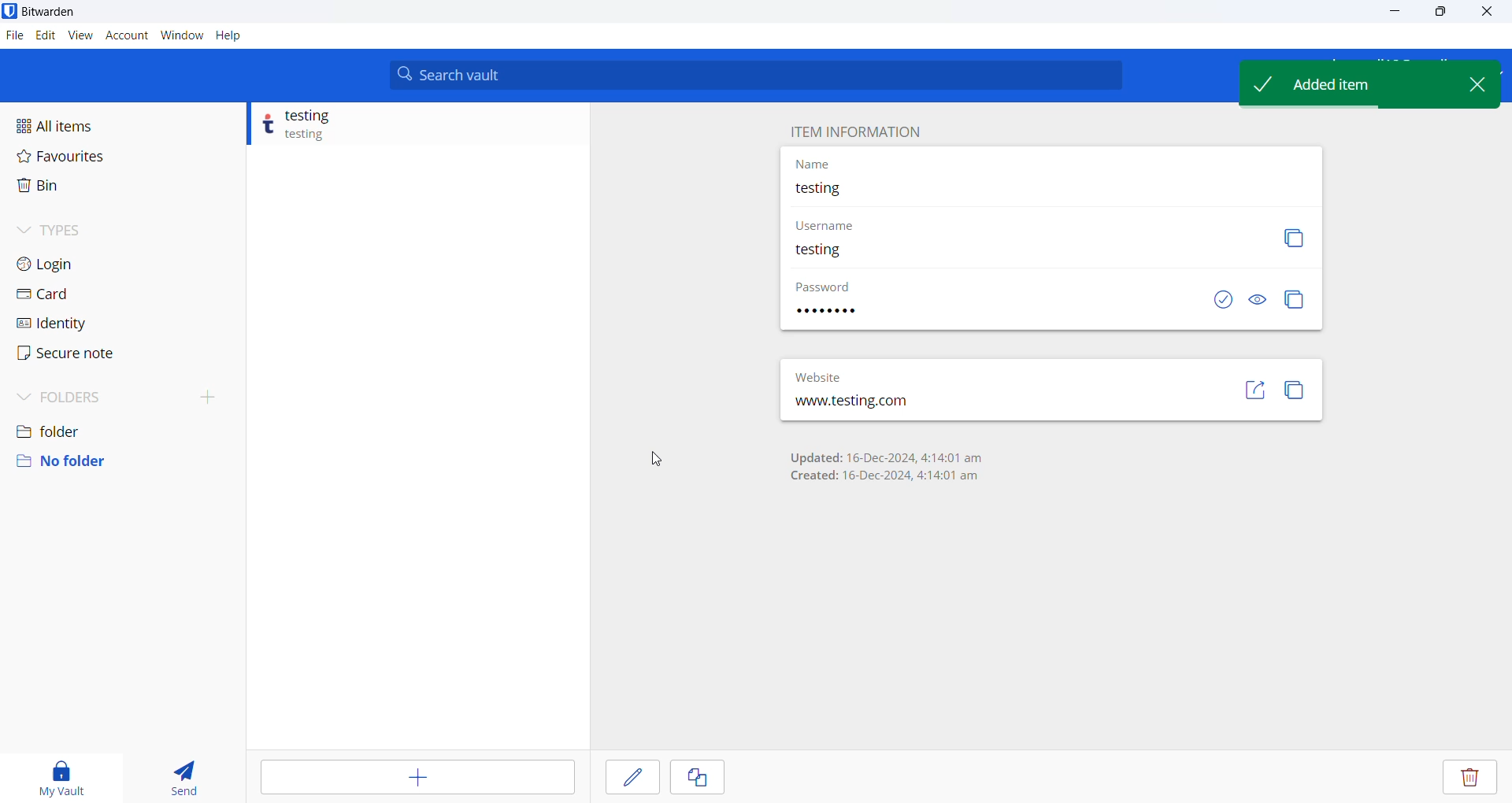 The width and height of the screenshot is (1512, 803). Describe the element at coordinates (406, 126) in the screenshot. I see `new item added: testing` at that location.